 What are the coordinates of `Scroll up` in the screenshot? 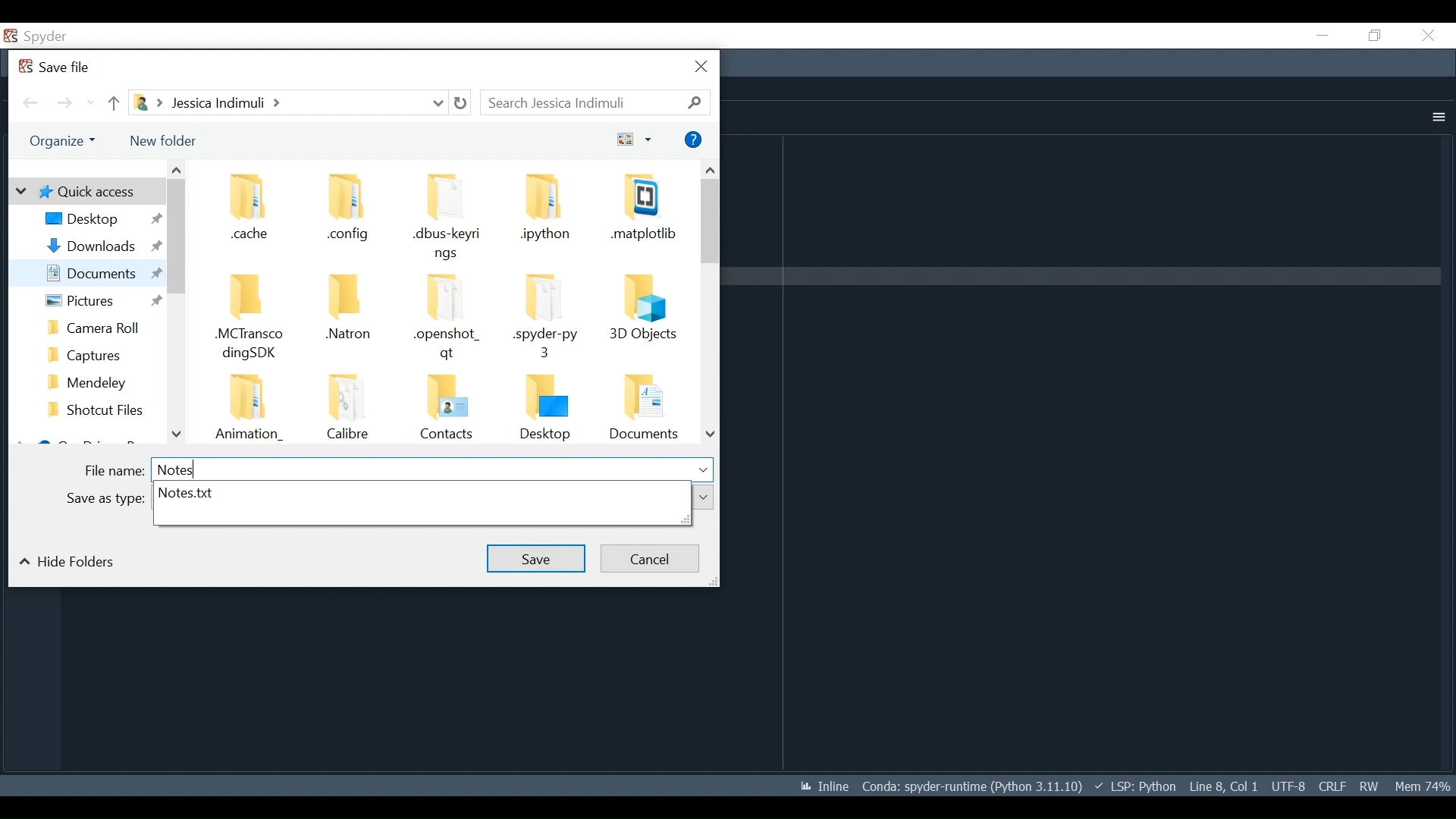 It's located at (177, 170).